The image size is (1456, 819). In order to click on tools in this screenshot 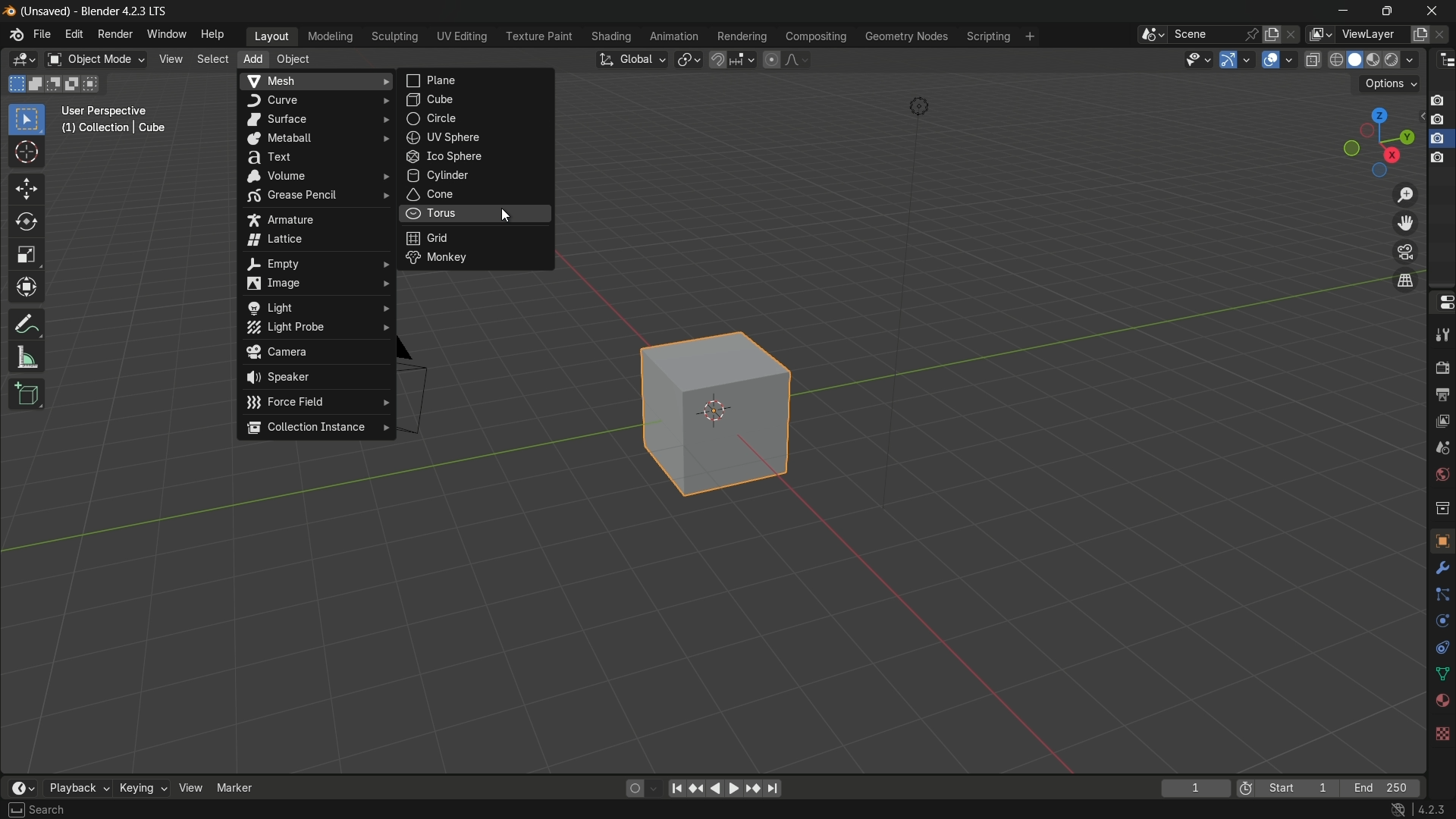, I will do `click(1442, 332)`.